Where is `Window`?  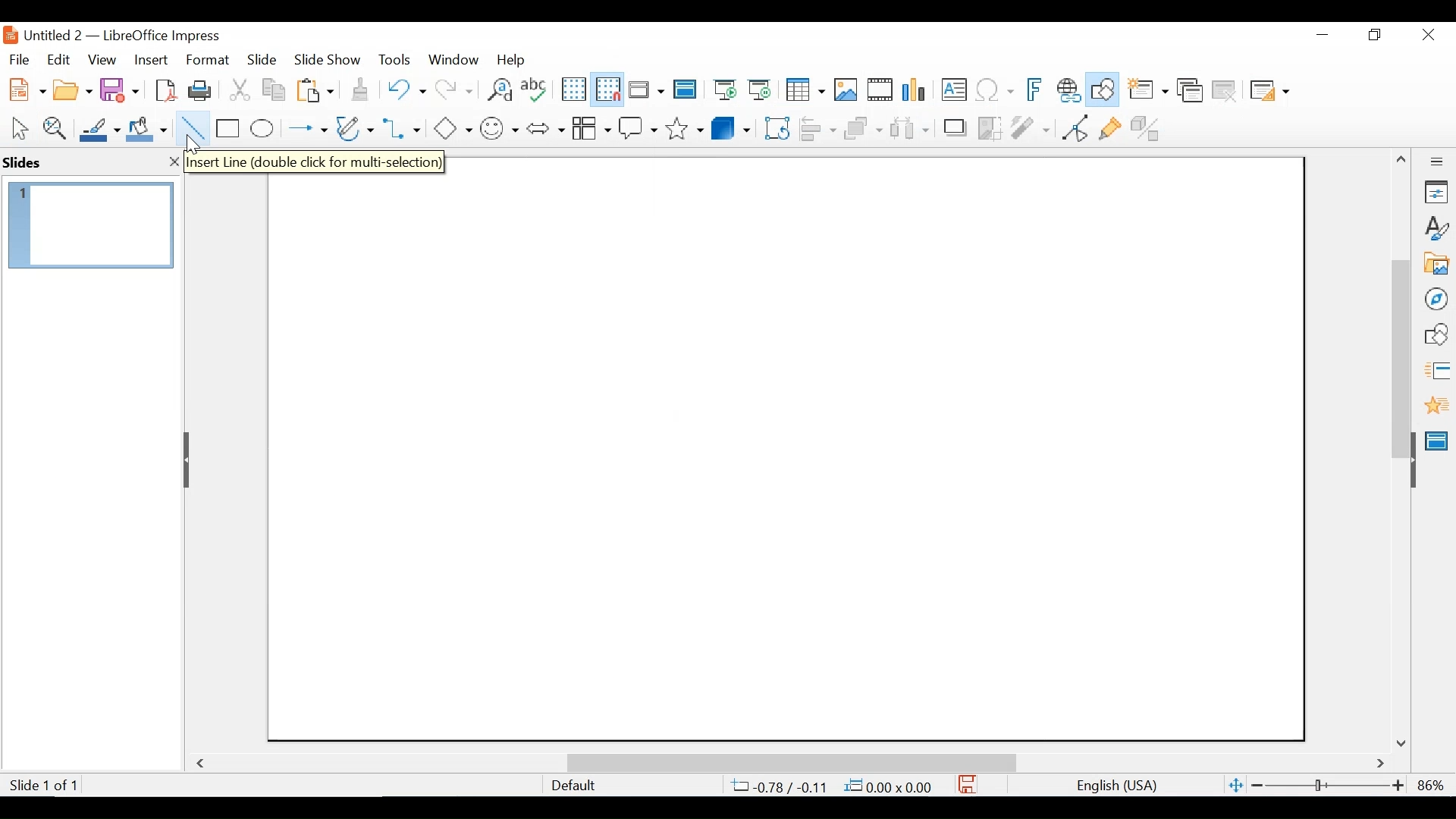 Window is located at coordinates (453, 59).